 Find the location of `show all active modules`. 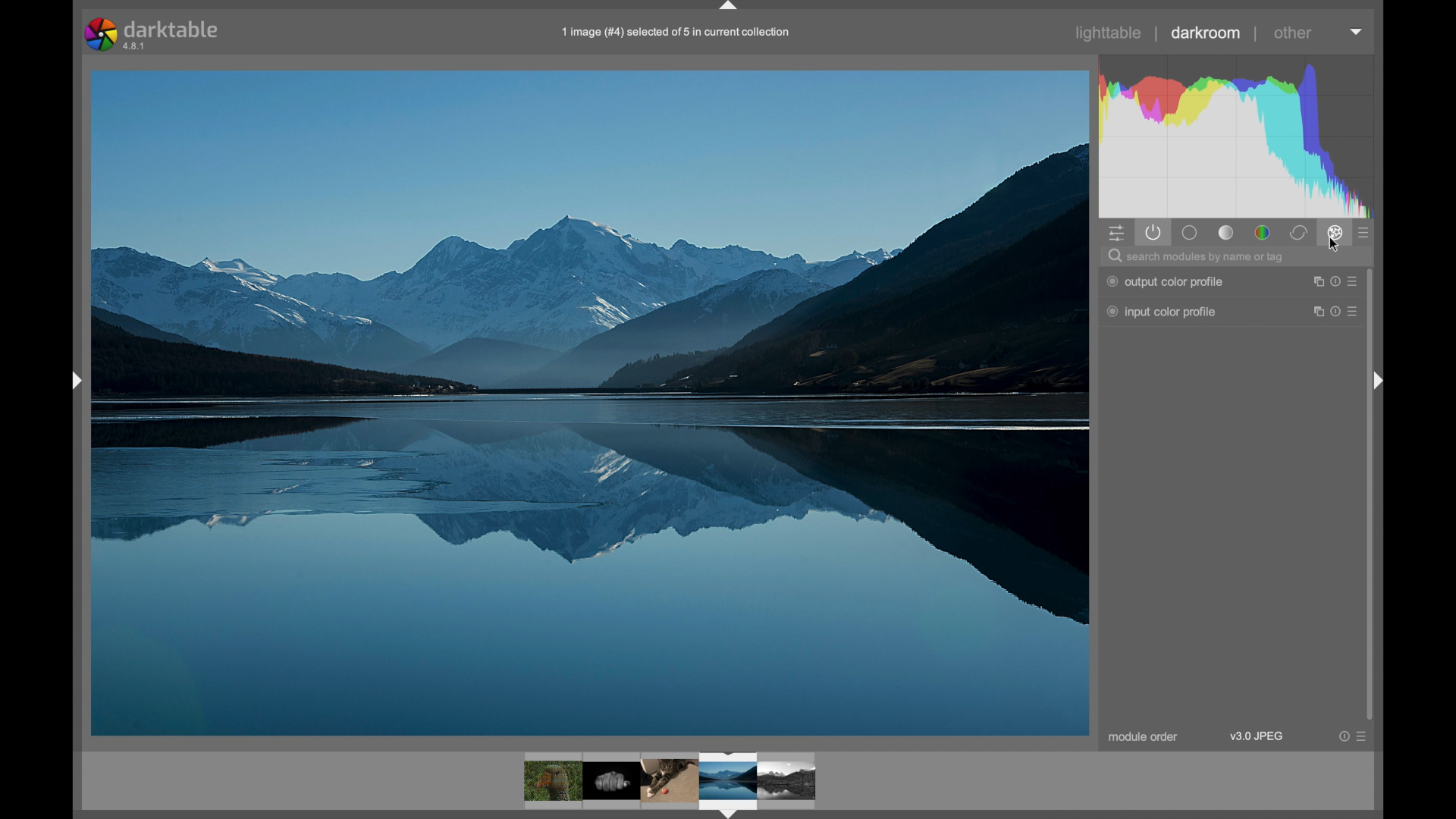

show all active modules is located at coordinates (1155, 233).